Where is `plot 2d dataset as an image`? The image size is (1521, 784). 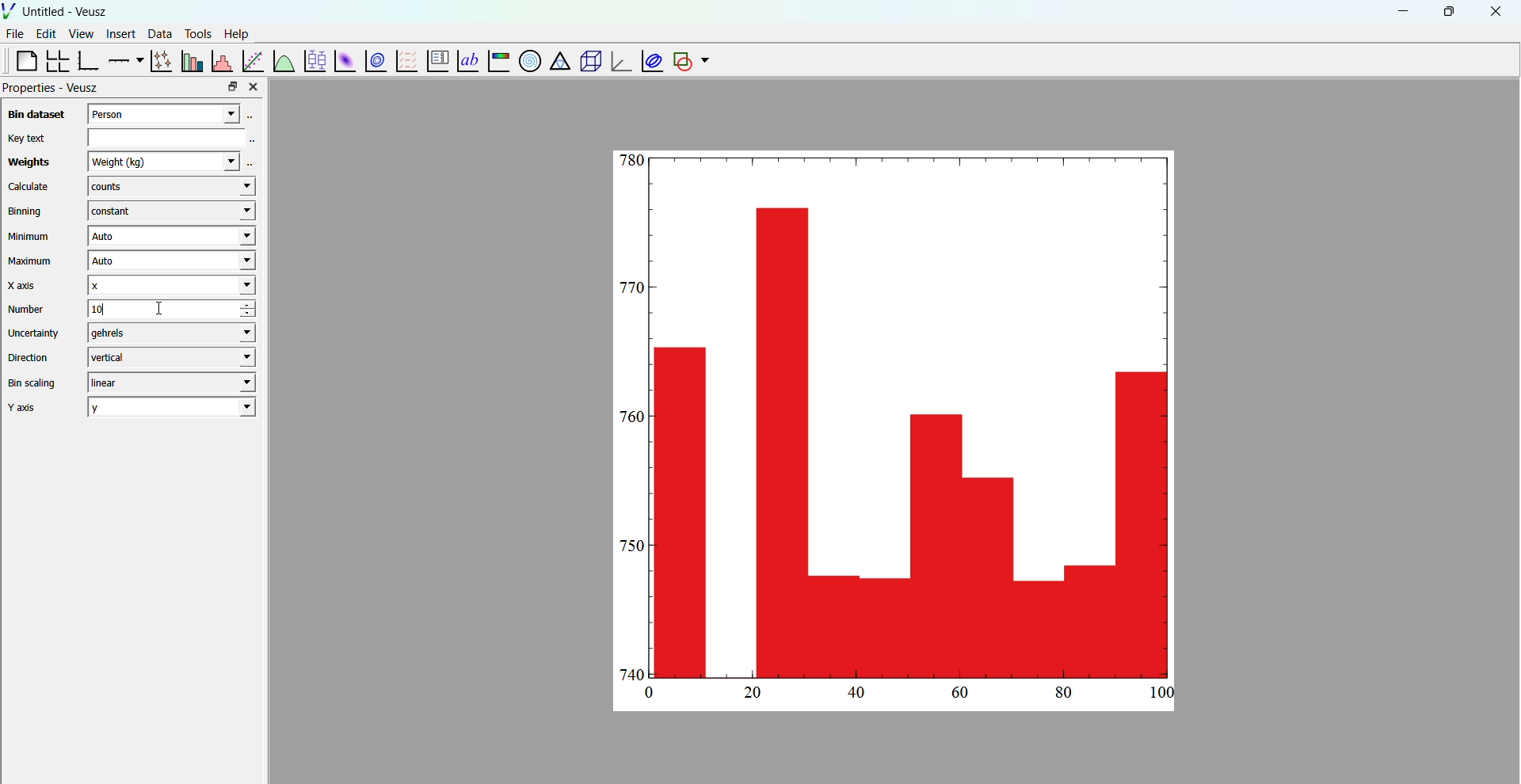 plot 2d dataset as an image is located at coordinates (342, 61).